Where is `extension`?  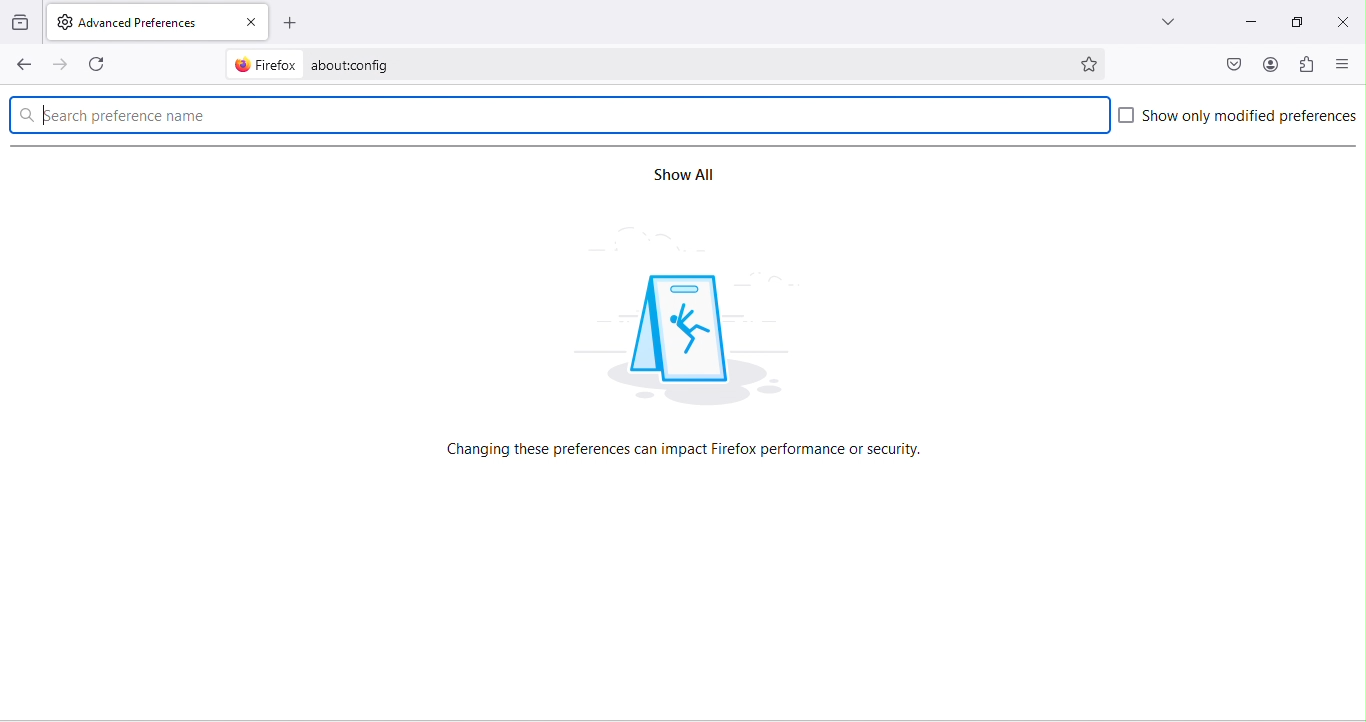 extension is located at coordinates (1309, 65).